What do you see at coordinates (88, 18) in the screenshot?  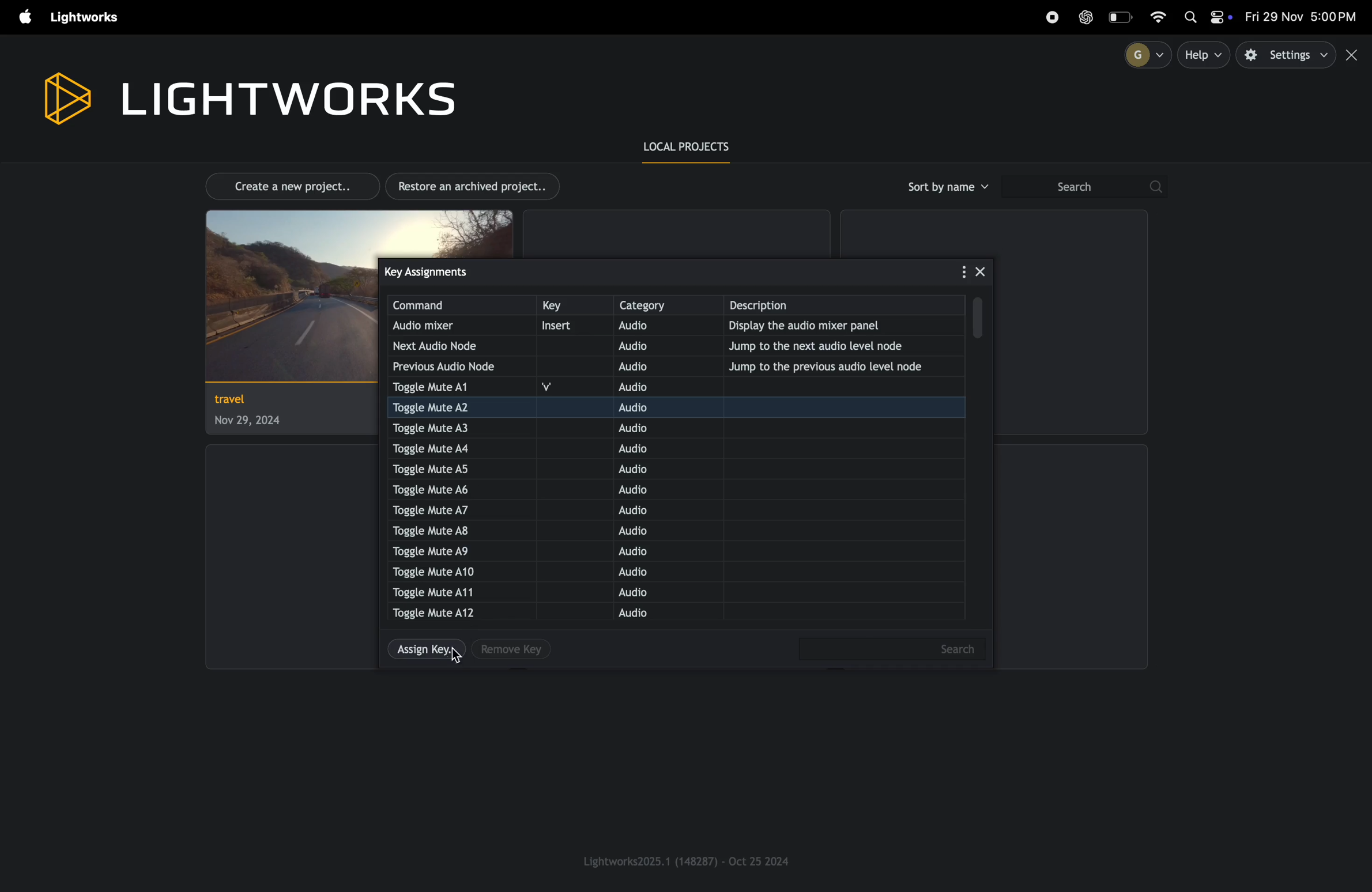 I see `light works` at bounding box center [88, 18].